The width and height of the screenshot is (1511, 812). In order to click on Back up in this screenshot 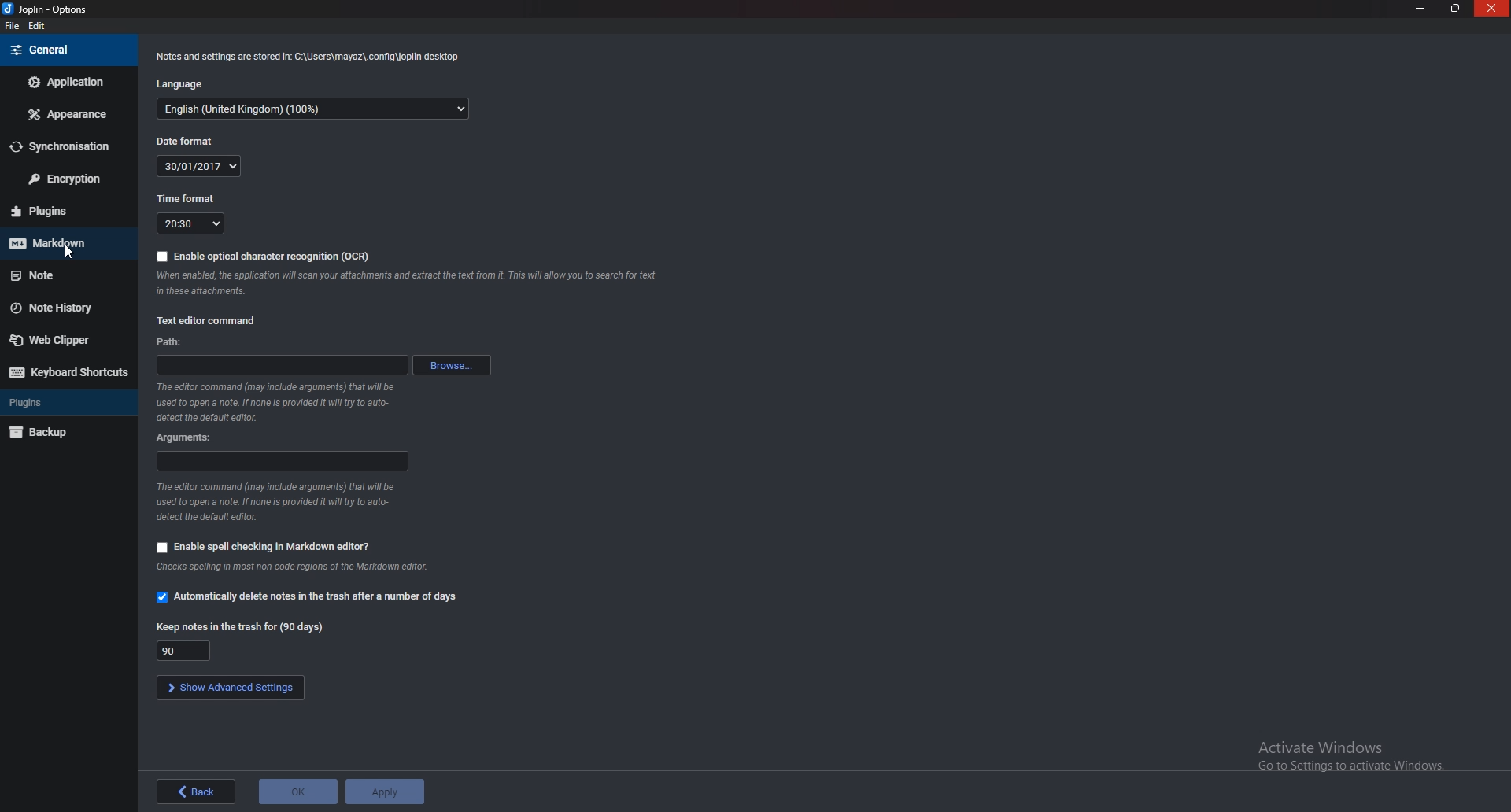, I will do `click(51, 434)`.